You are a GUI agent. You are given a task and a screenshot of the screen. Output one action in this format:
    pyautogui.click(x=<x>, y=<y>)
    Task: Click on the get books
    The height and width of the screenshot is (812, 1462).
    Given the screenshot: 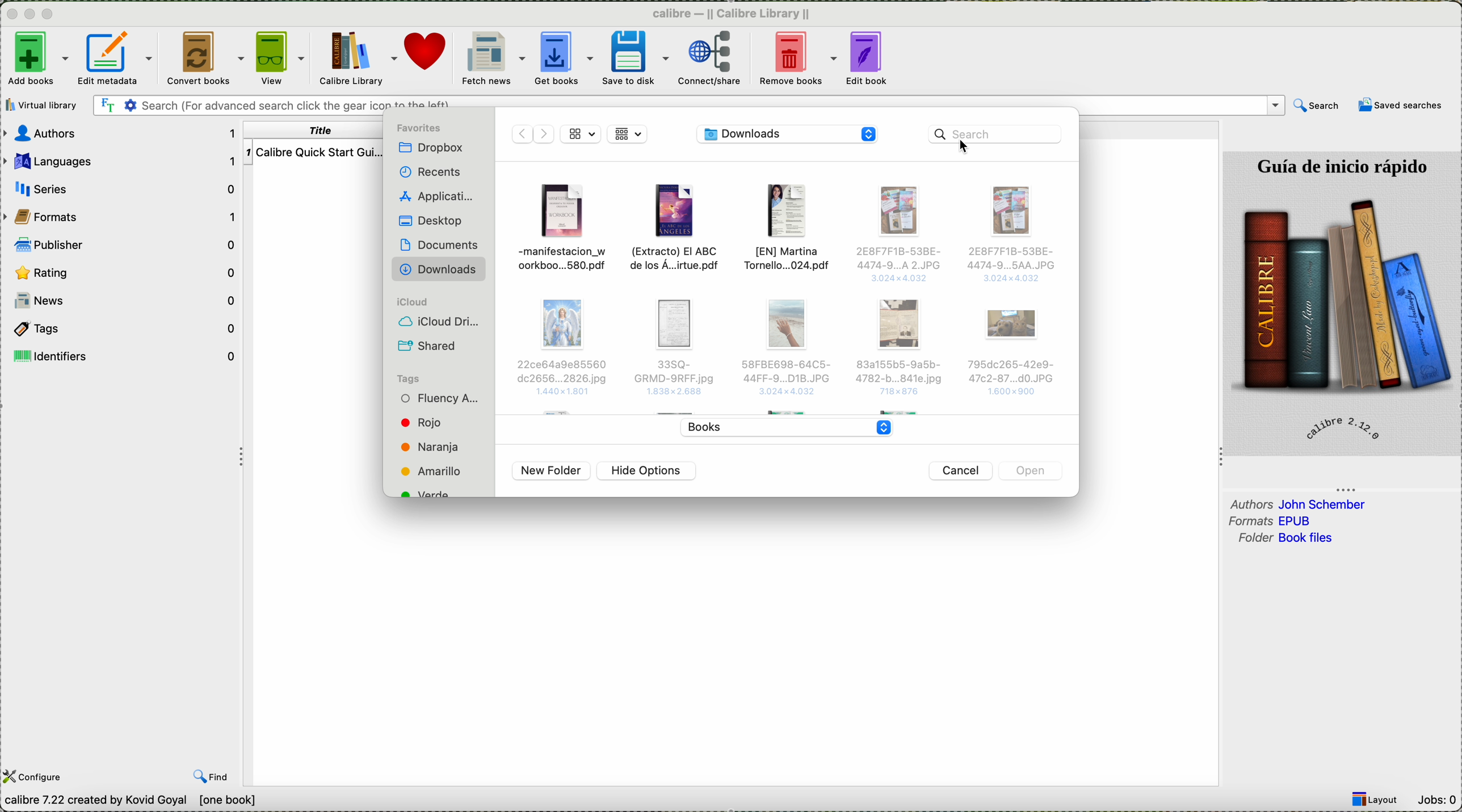 What is the action you would take?
    pyautogui.click(x=564, y=57)
    